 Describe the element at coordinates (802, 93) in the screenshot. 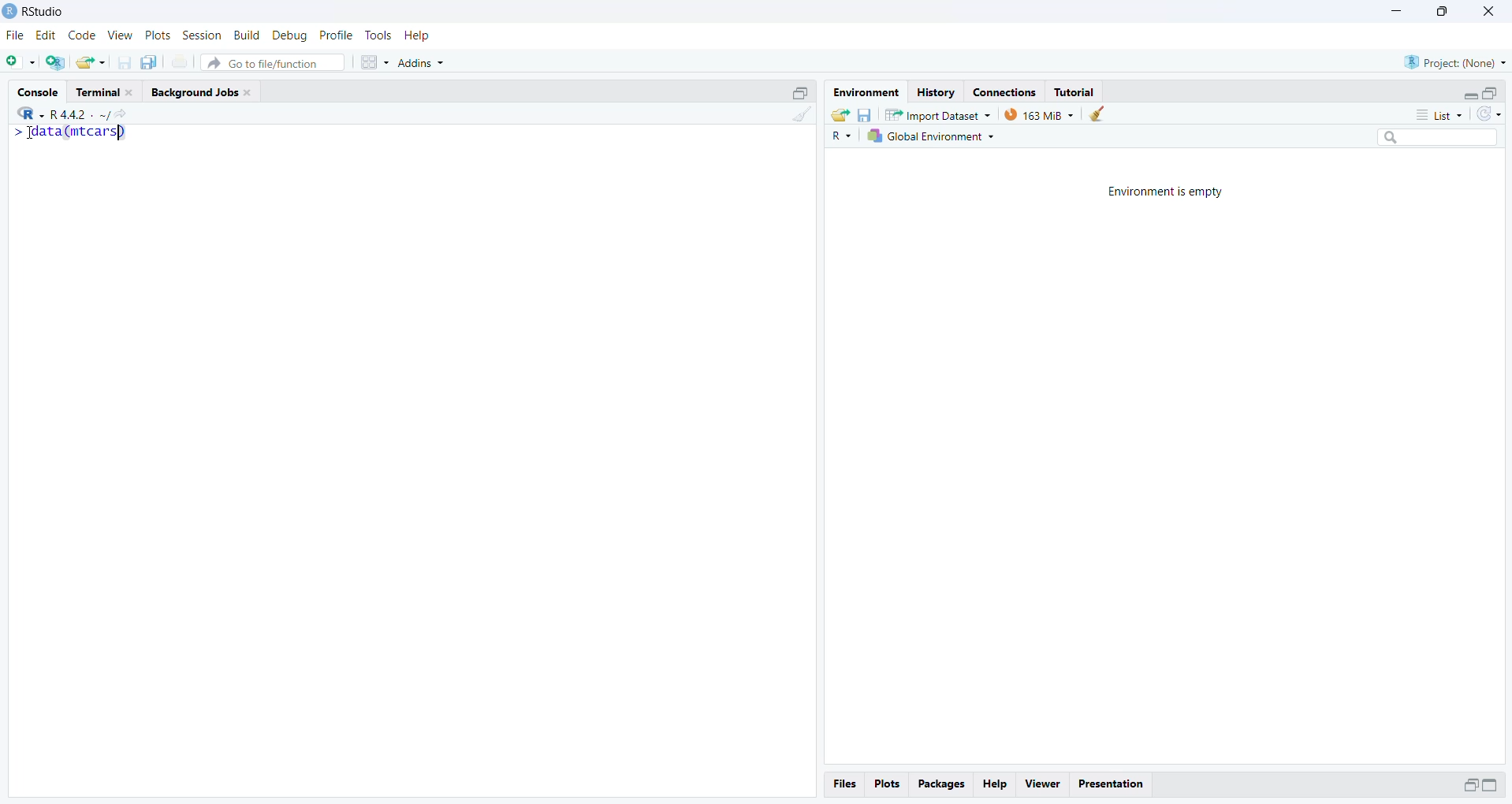

I see `open in separate window` at that location.